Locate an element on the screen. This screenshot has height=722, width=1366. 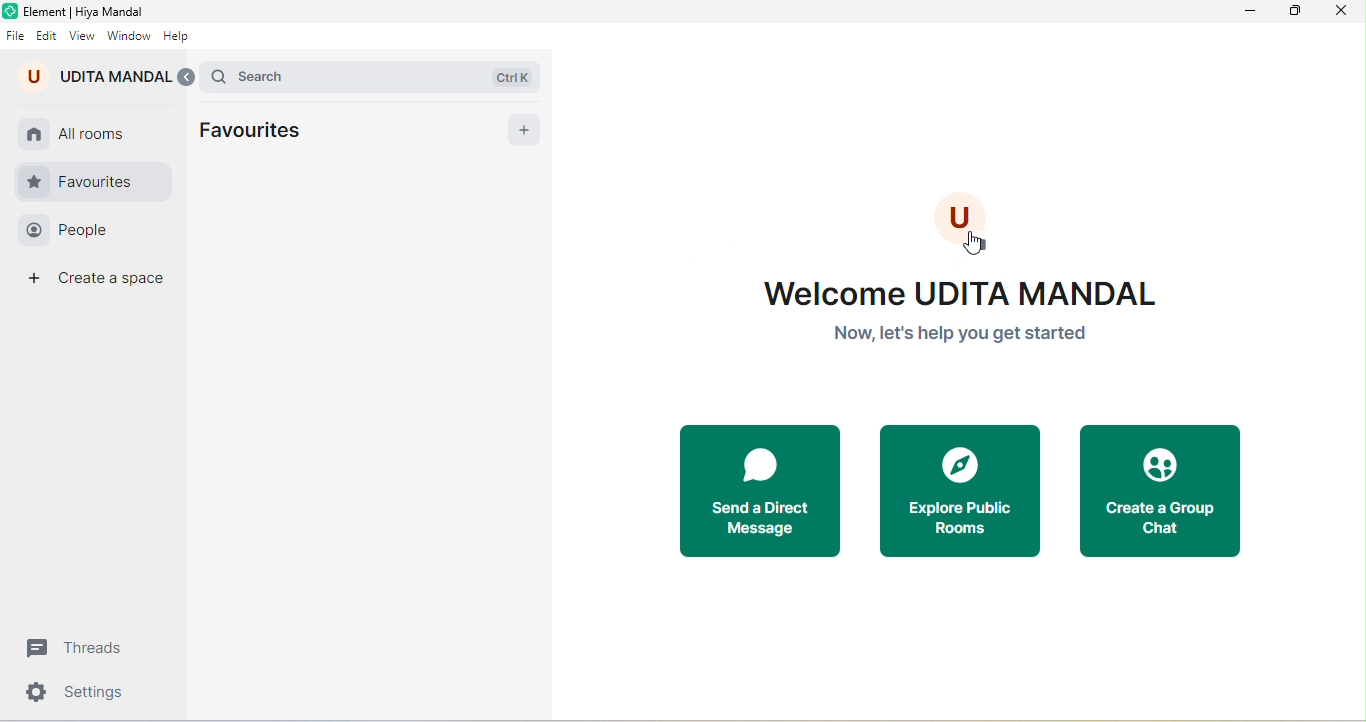
favourites is located at coordinates (260, 132).